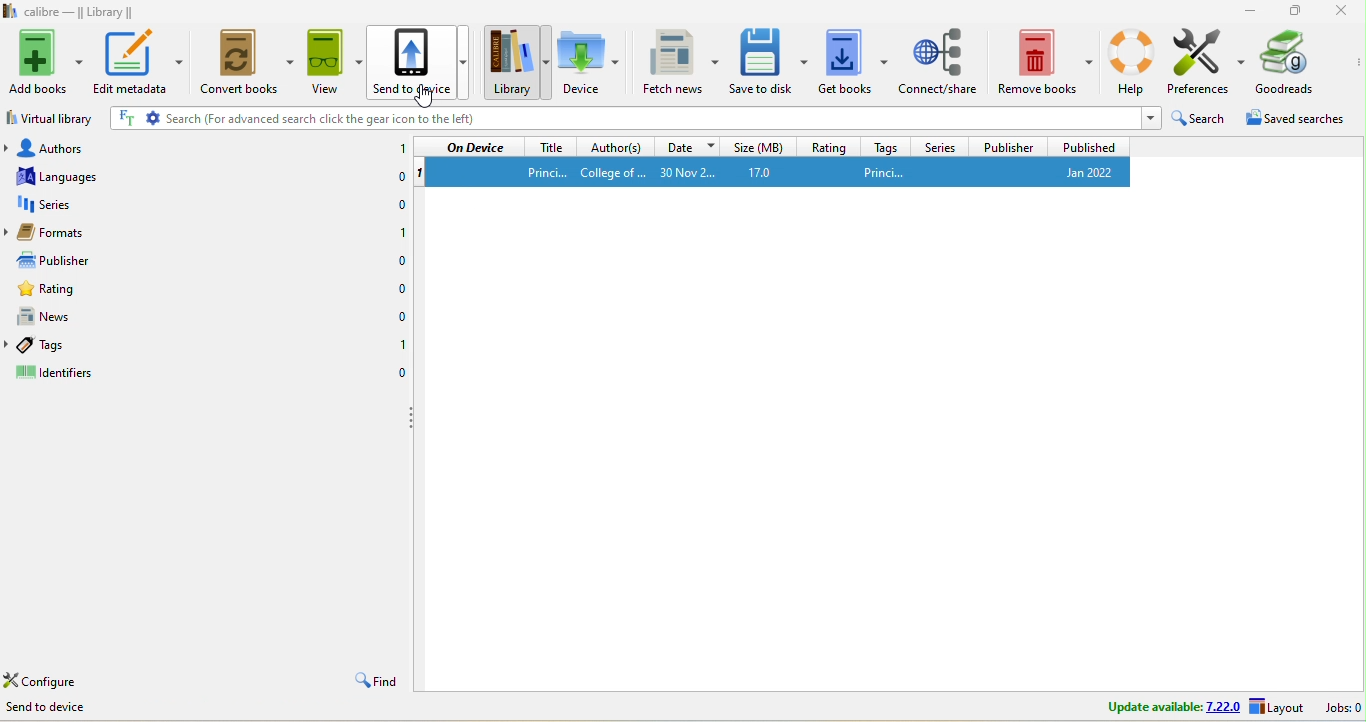  What do you see at coordinates (635, 119) in the screenshot?
I see `search` at bounding box center [635, 119].